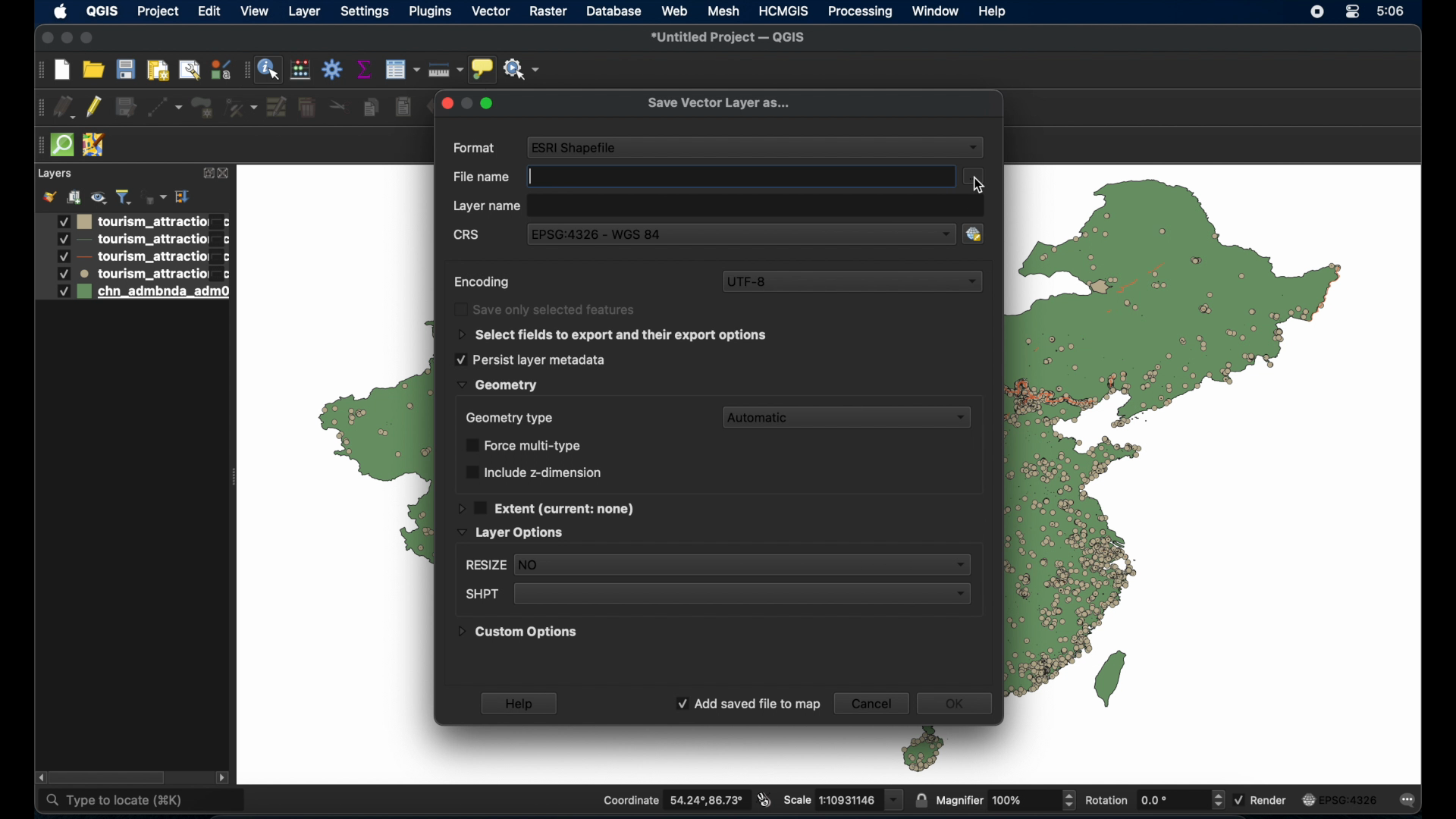 This screenshot has height=819, width=1456. Describe the element at coordinates (468, 237) in the screenshot. I see `crs` at that location.